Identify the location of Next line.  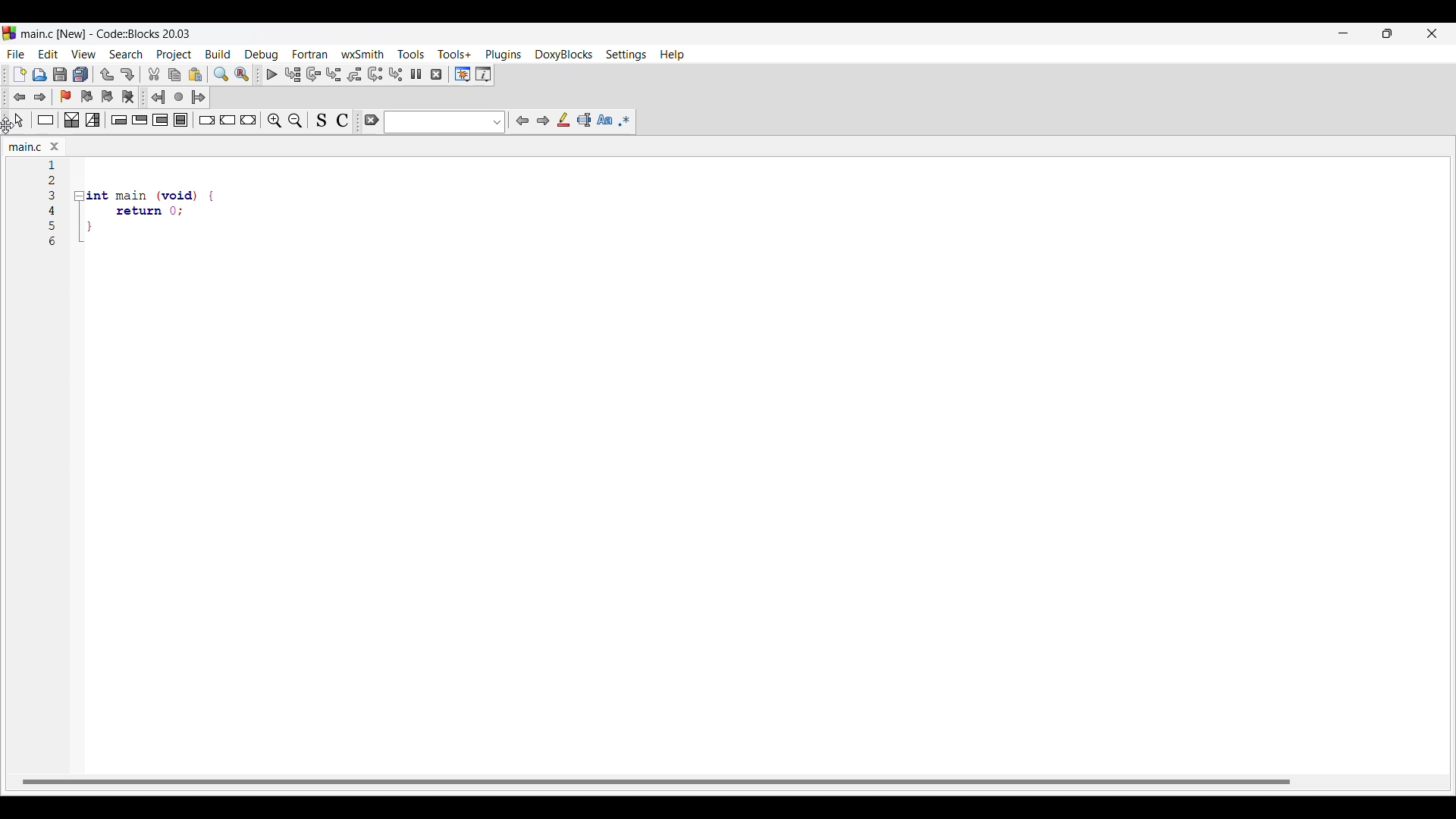
(313, 74).